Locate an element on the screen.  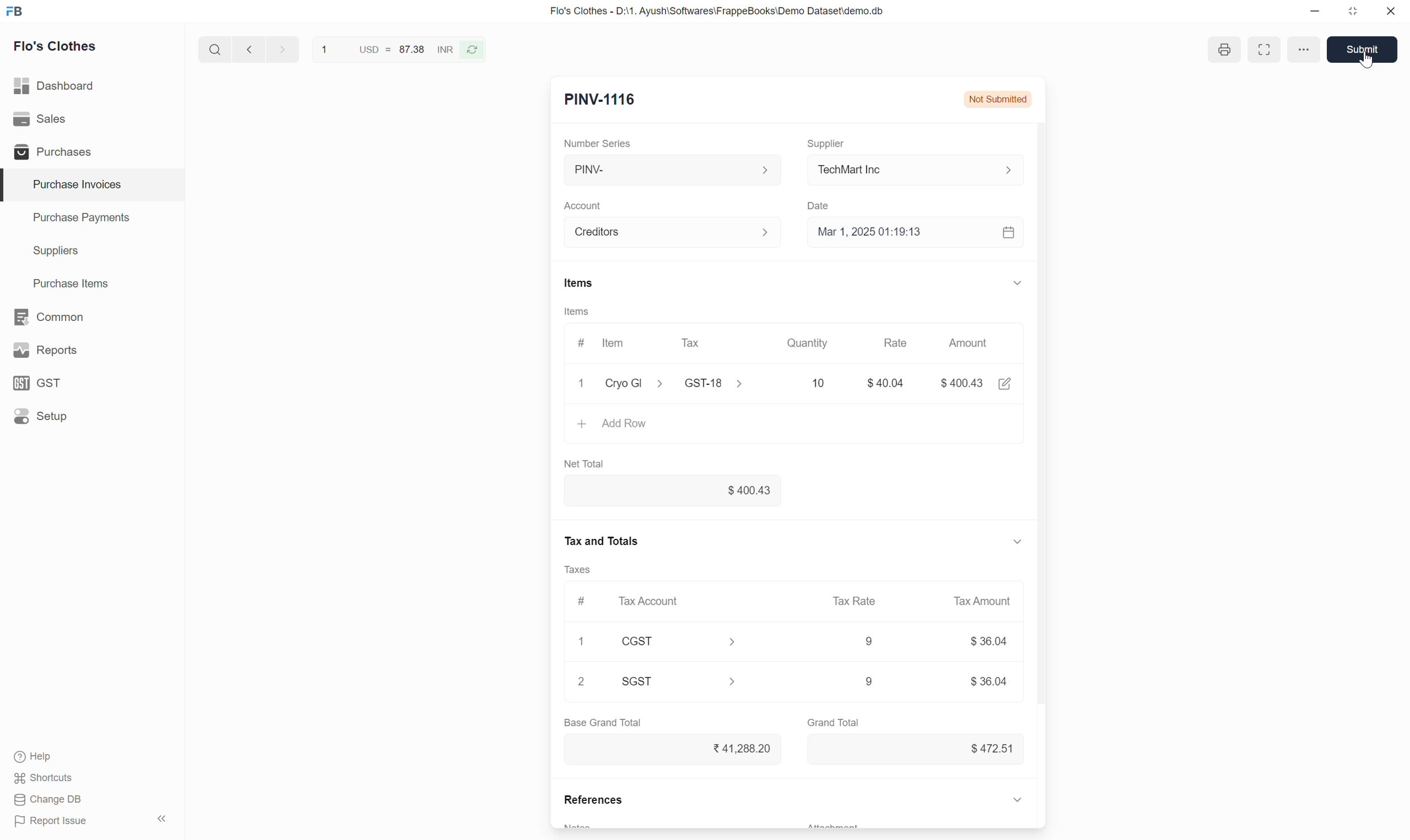
Base Grand Total is located at coordinates (603, 722).